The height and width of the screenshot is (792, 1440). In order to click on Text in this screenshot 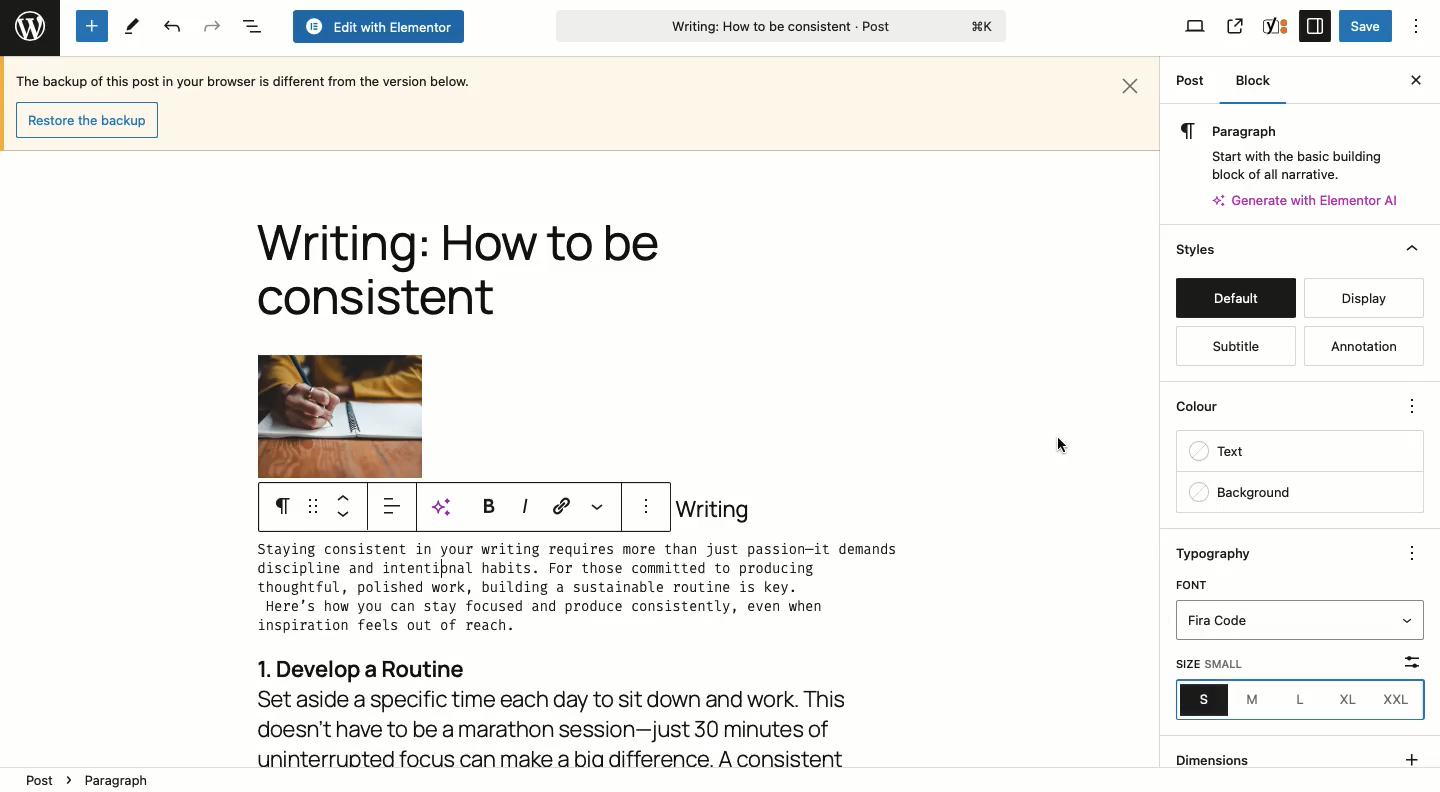, I will do `click(1299, 453)`.